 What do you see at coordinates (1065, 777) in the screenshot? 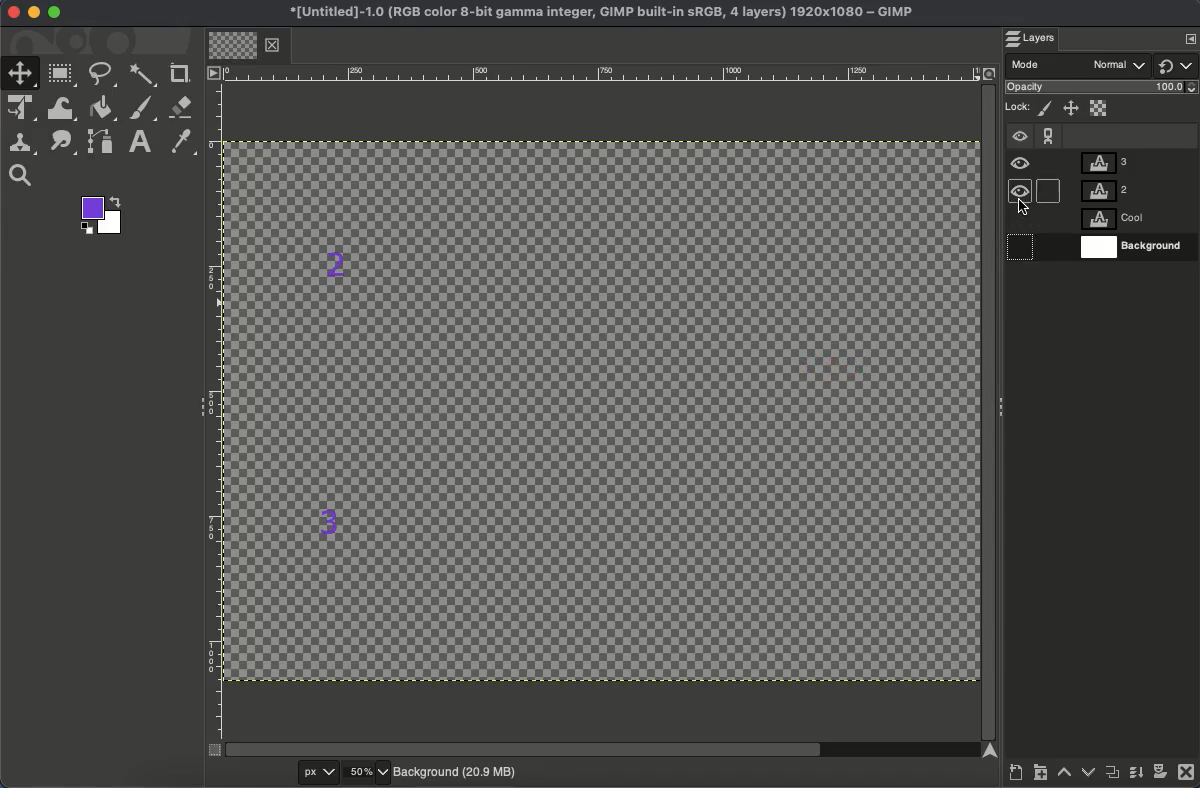
I see `Raise layer` at bounding box center [1065, 777].